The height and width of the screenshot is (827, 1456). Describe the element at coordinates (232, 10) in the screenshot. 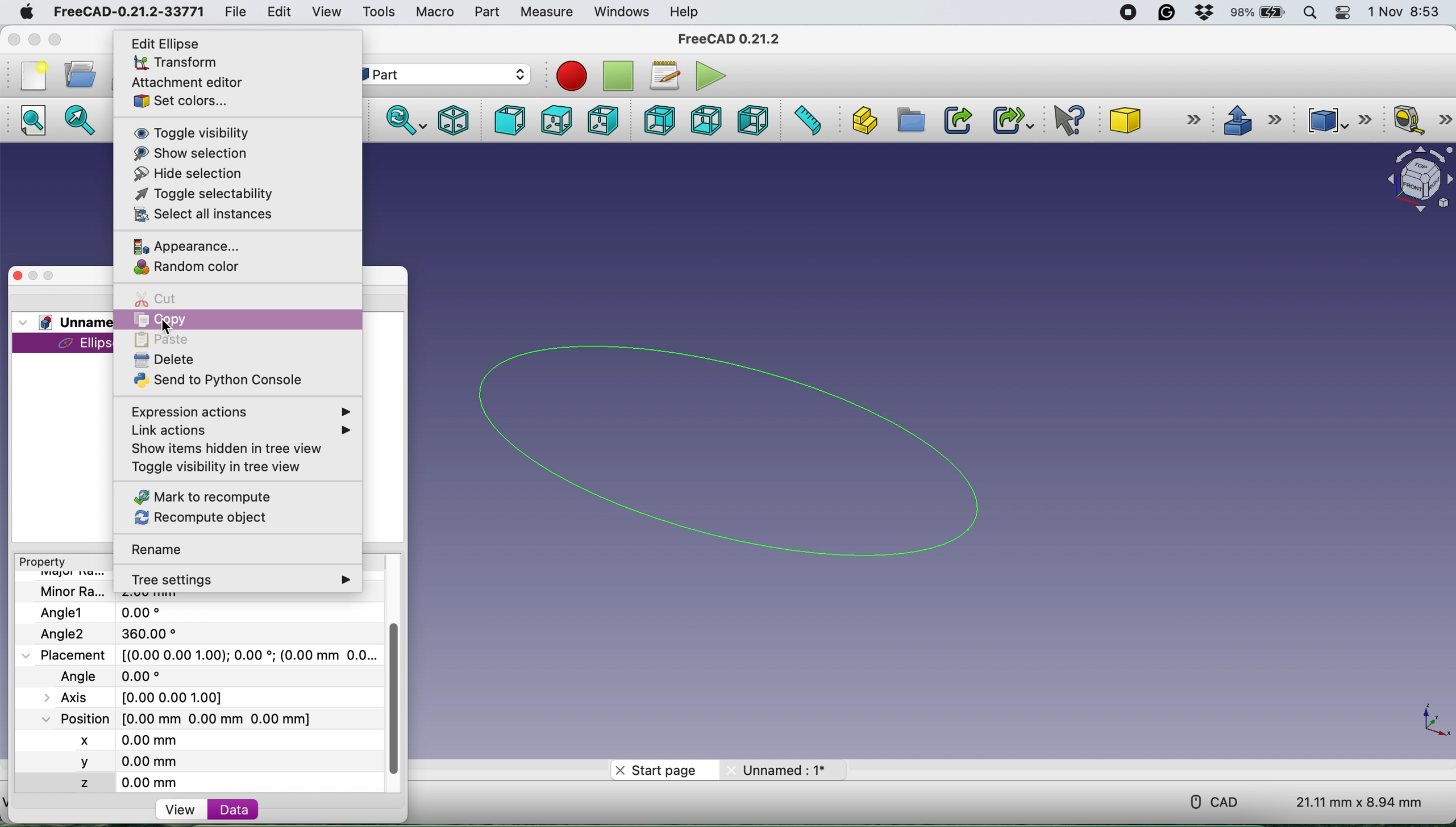

I see `file` at that location.